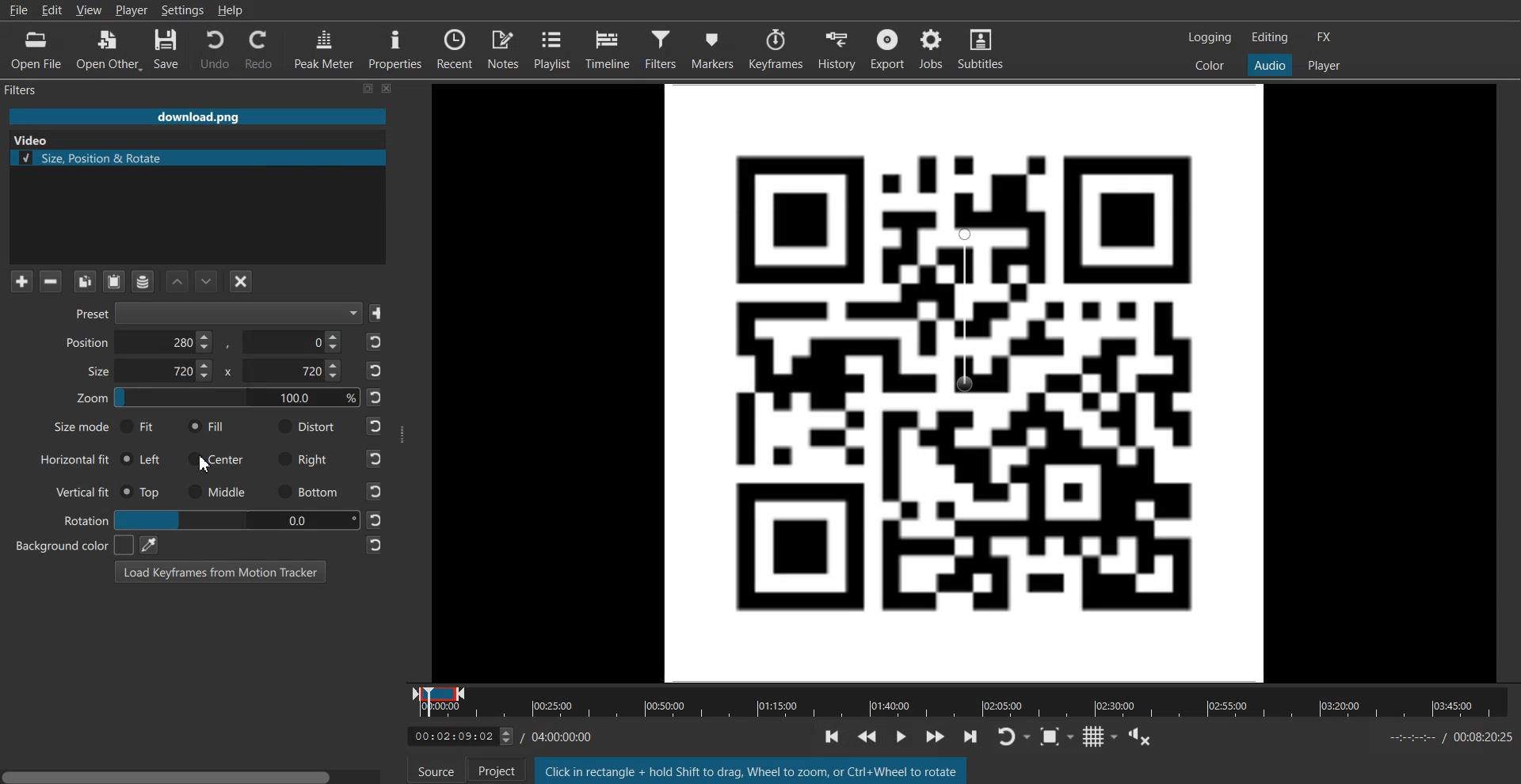 The width and height of the screenshot is (1521, 784). Describe the element at coordinates (197, 116) in the screenshot. I see `File Name` at that location.